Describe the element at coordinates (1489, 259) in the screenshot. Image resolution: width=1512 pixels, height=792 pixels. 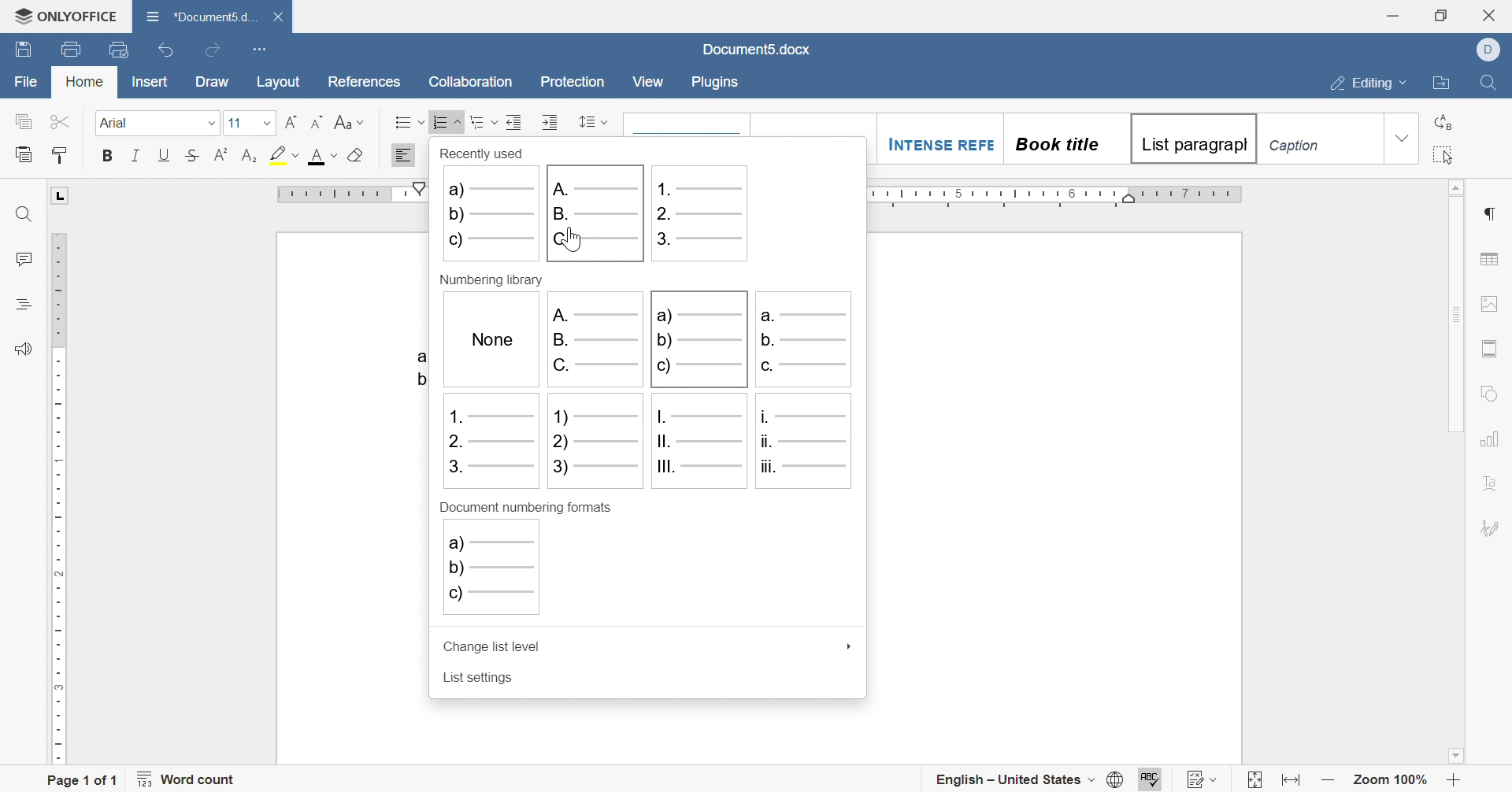
I see `table settings` at that location.